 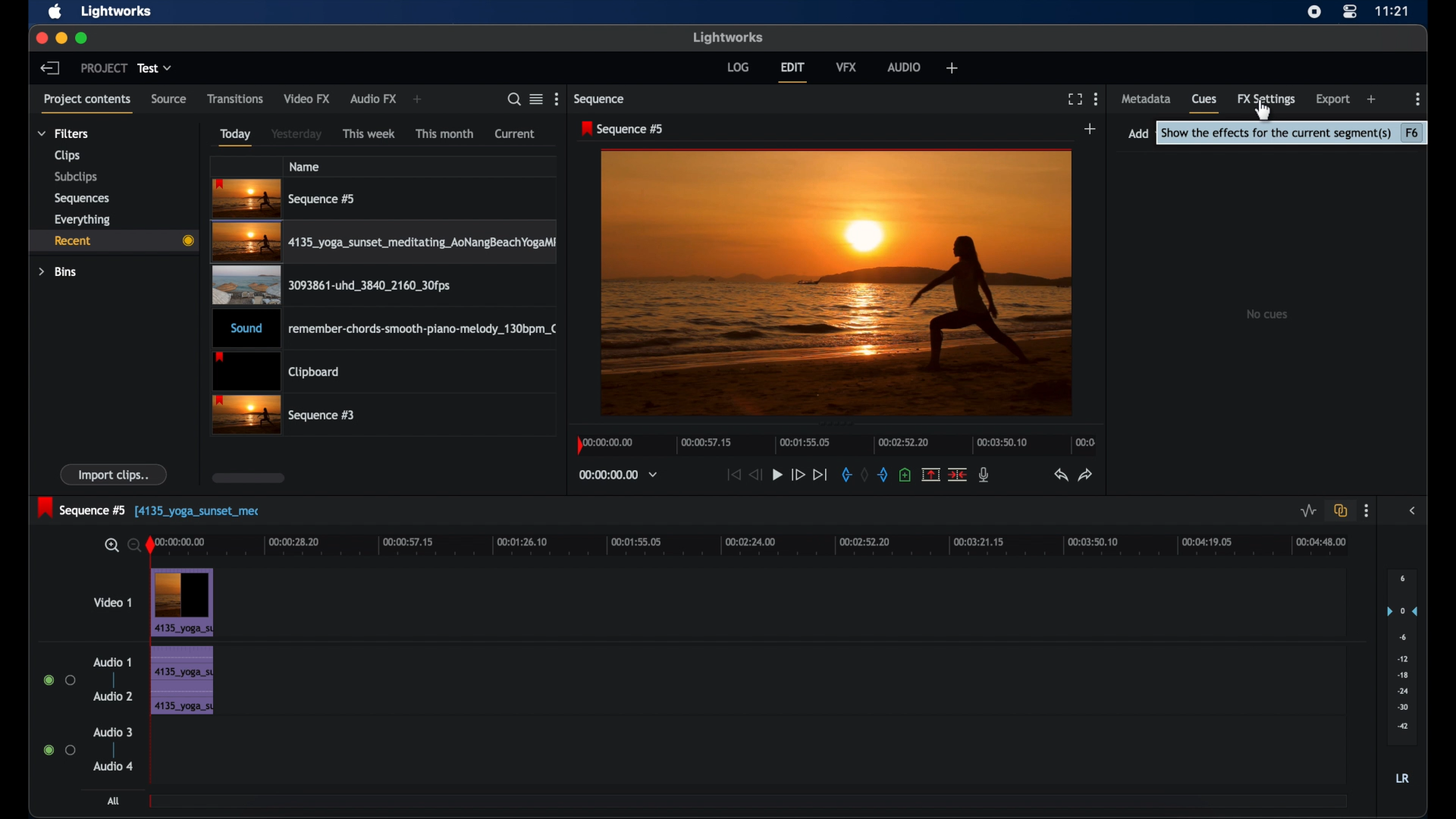 I want to click on timeline scale, so click(x=760, y=544).